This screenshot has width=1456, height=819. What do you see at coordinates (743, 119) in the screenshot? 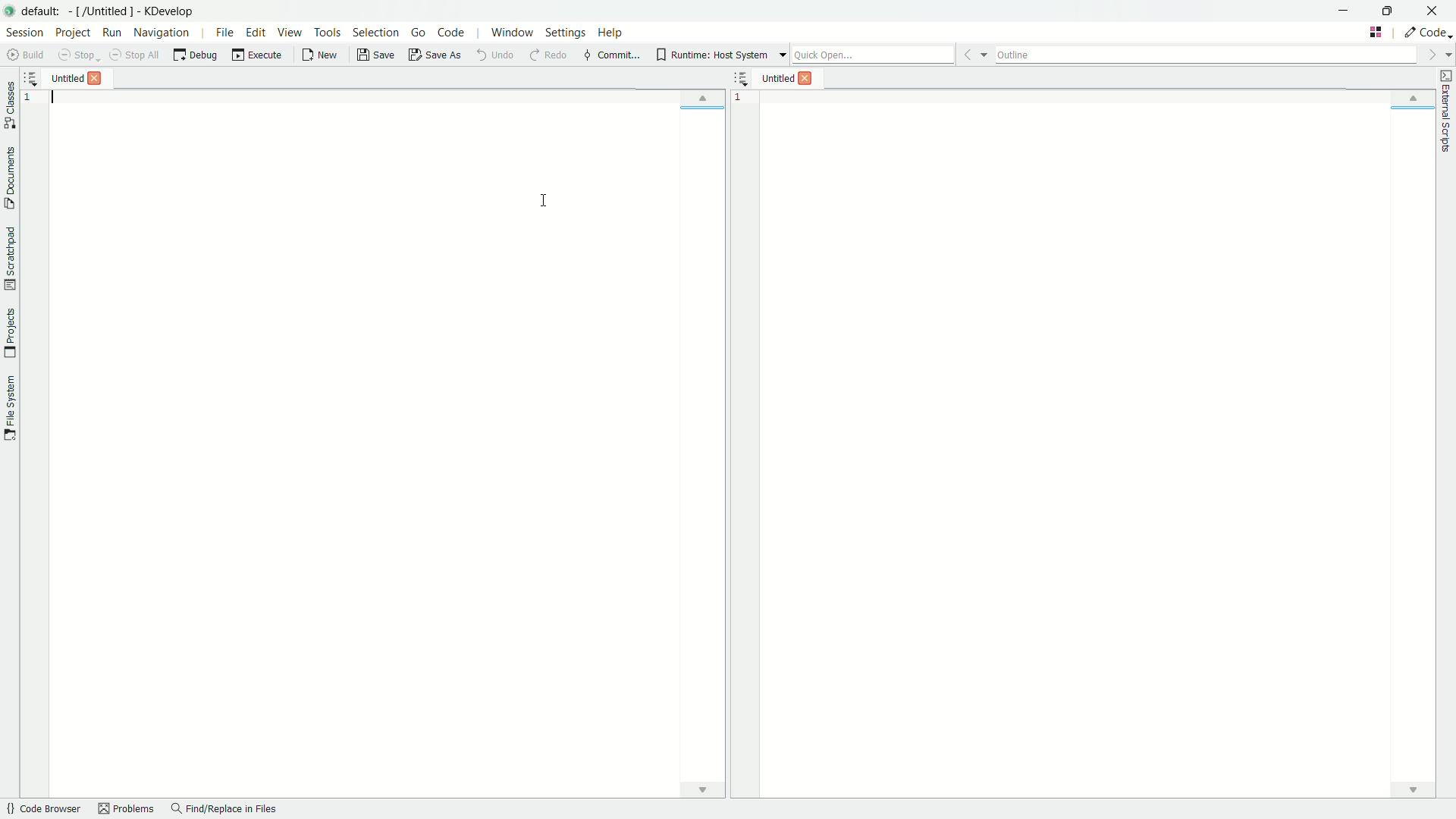
I see `line number` at bounding box center [743, 119].